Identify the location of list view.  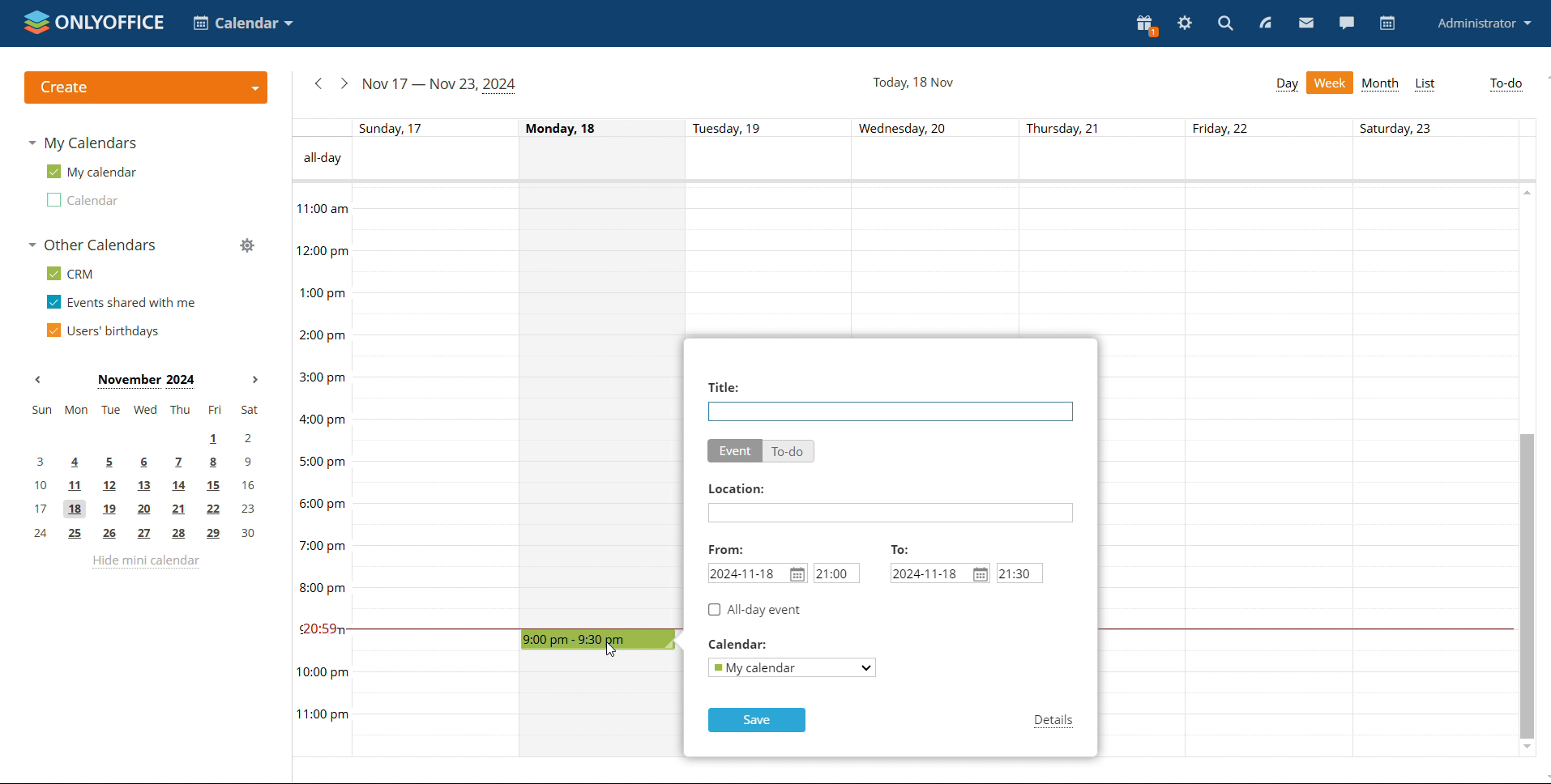
(1425, 84).